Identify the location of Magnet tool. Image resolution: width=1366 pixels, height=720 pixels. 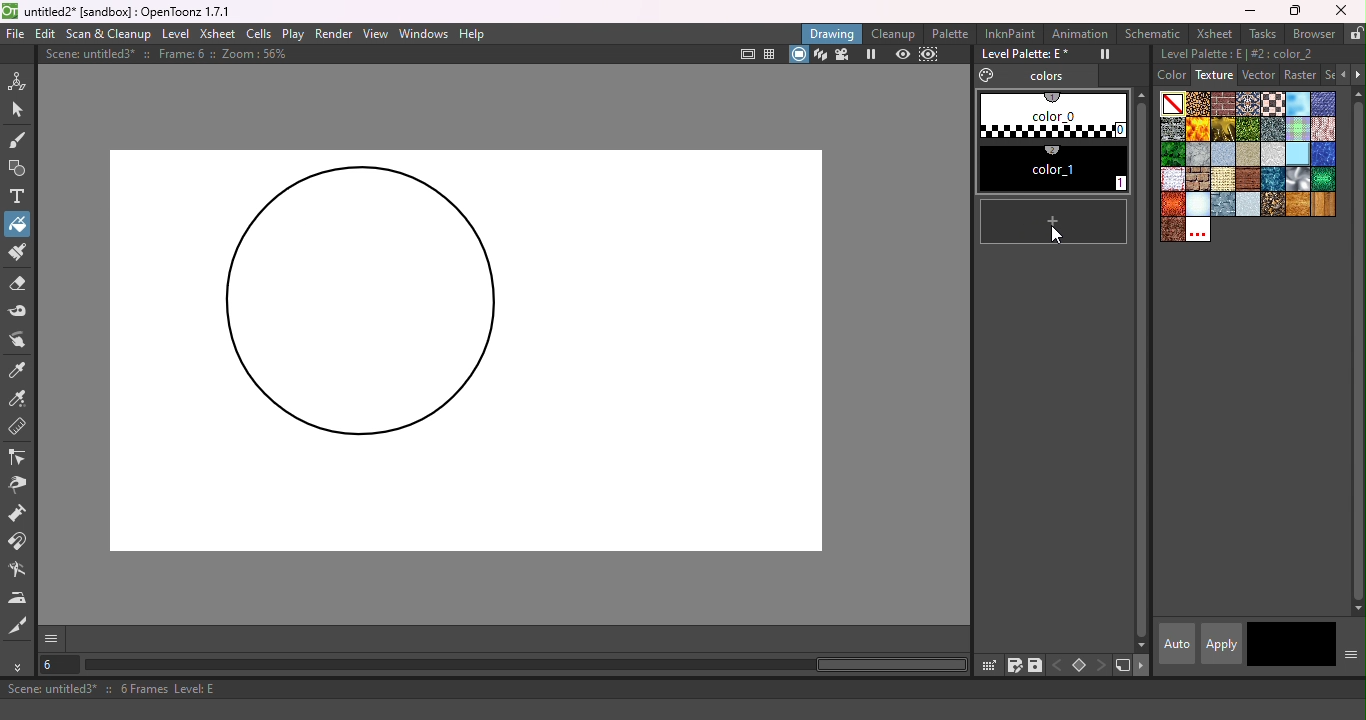
(18, 543).